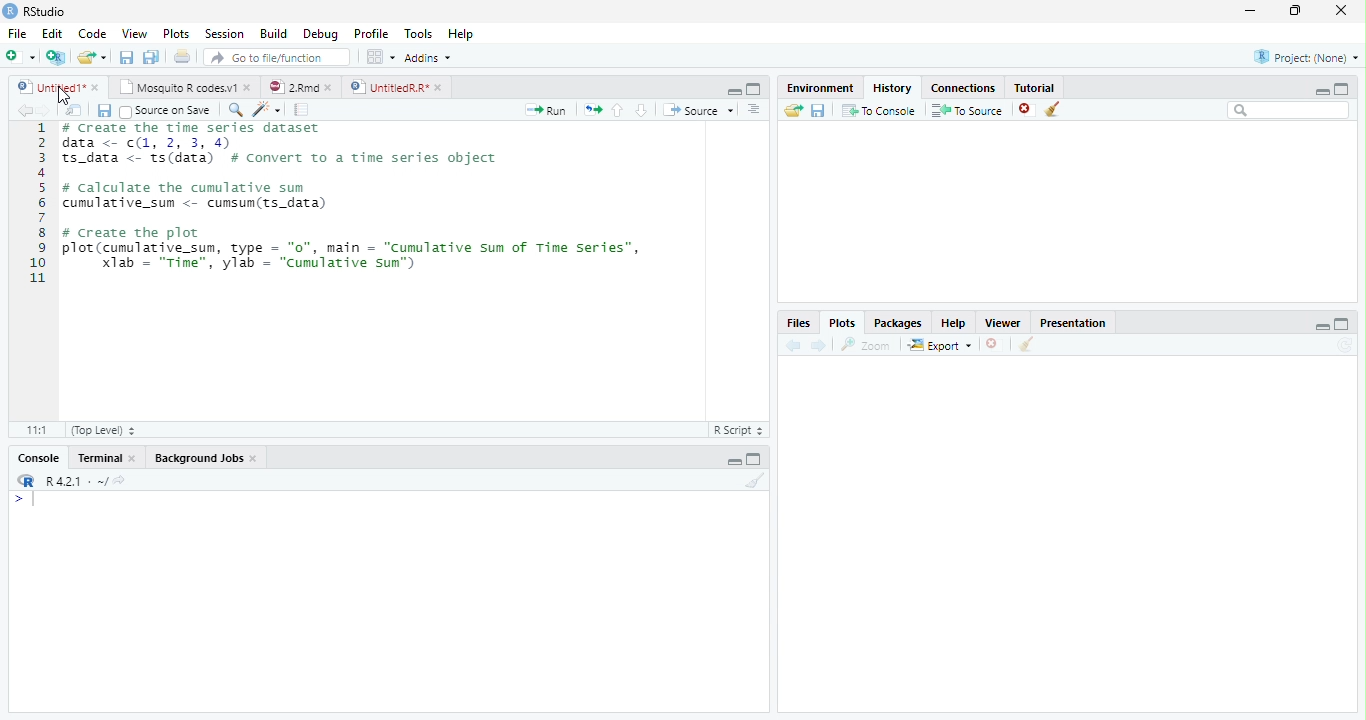 Image resolution: width=1366 pixels, height=720 pixels. Describe the element at coordinates (104, 431) in the screenshot. I see `Top level` at that location.